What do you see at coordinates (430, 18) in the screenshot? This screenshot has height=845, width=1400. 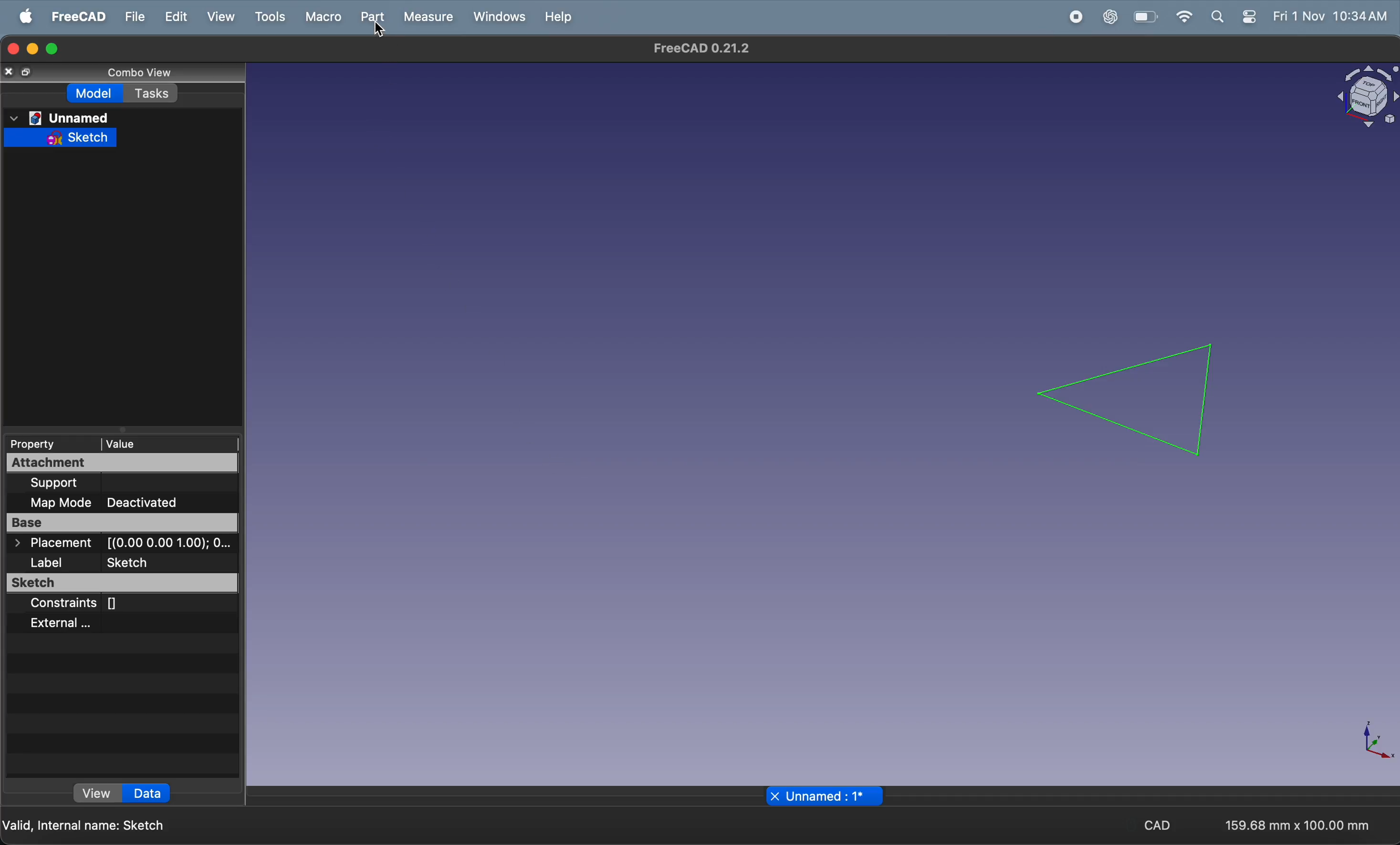 I see `measure` at bounding box center [430, 18].